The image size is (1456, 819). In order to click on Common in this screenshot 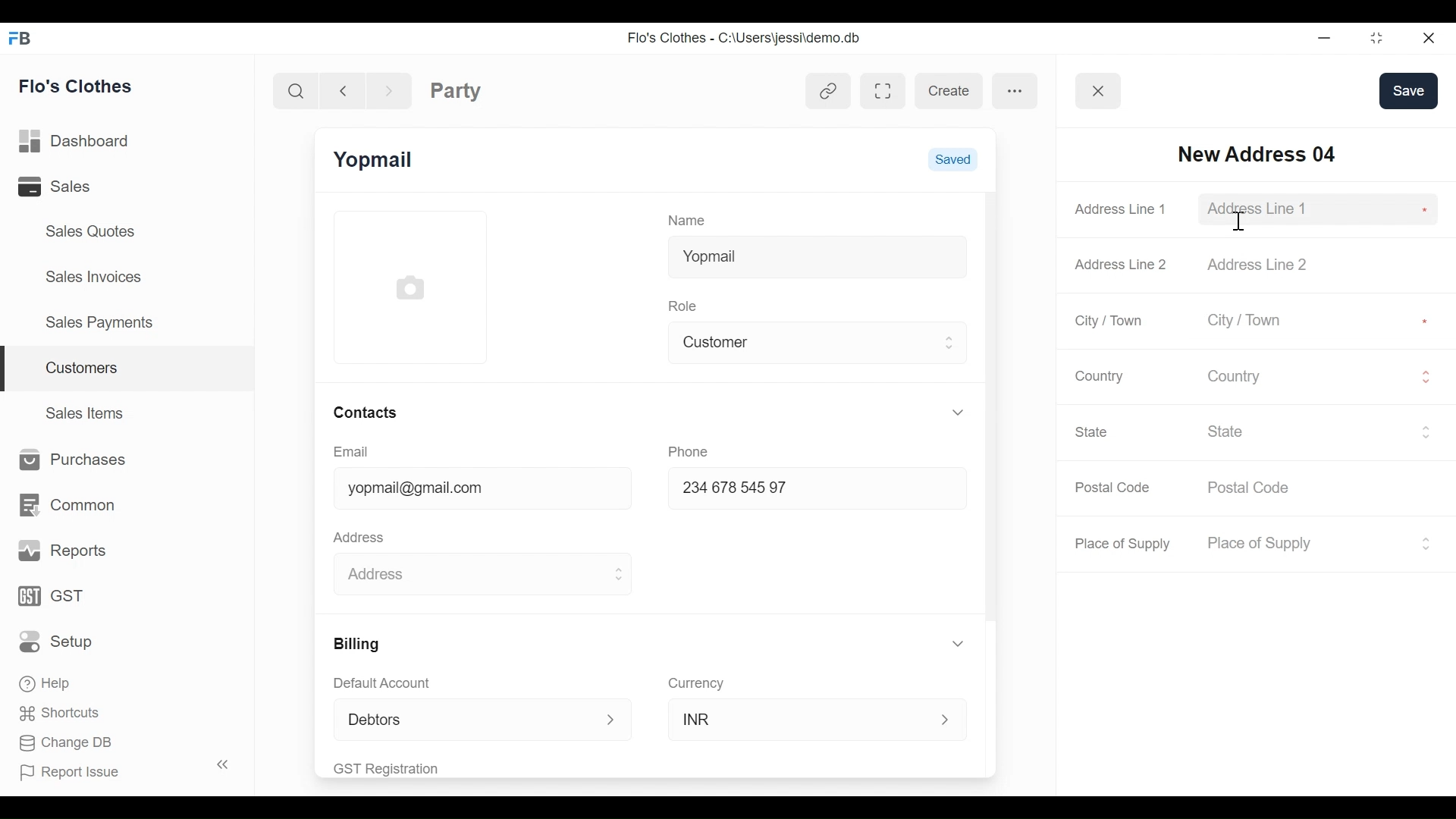, I will do `click(65, 505)`.